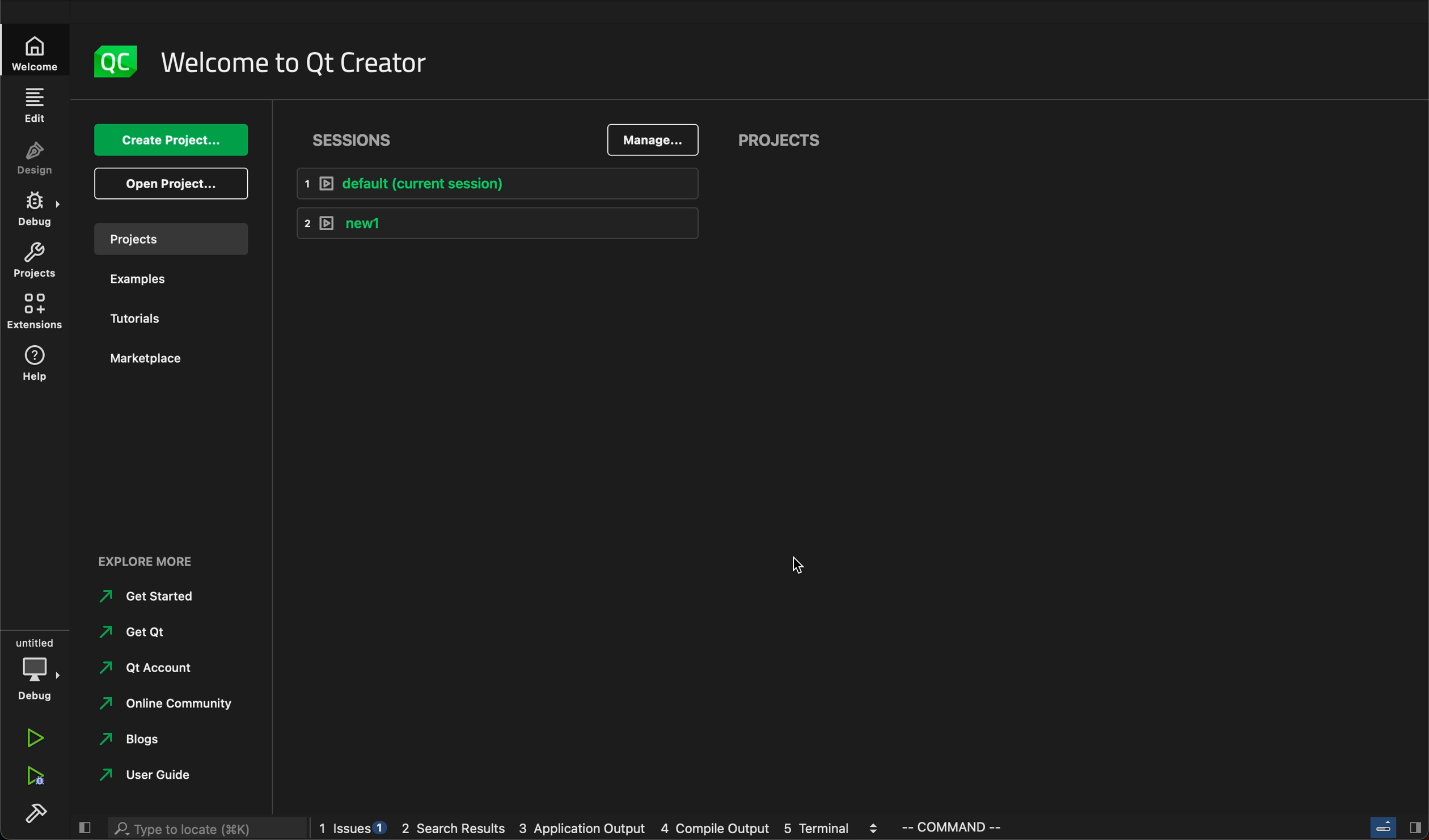 This screenshot has height=840, width=1429. What do you see at coordinates (603, 830) in the screenshot?
I see `logs` at bounding box center [603, 830].